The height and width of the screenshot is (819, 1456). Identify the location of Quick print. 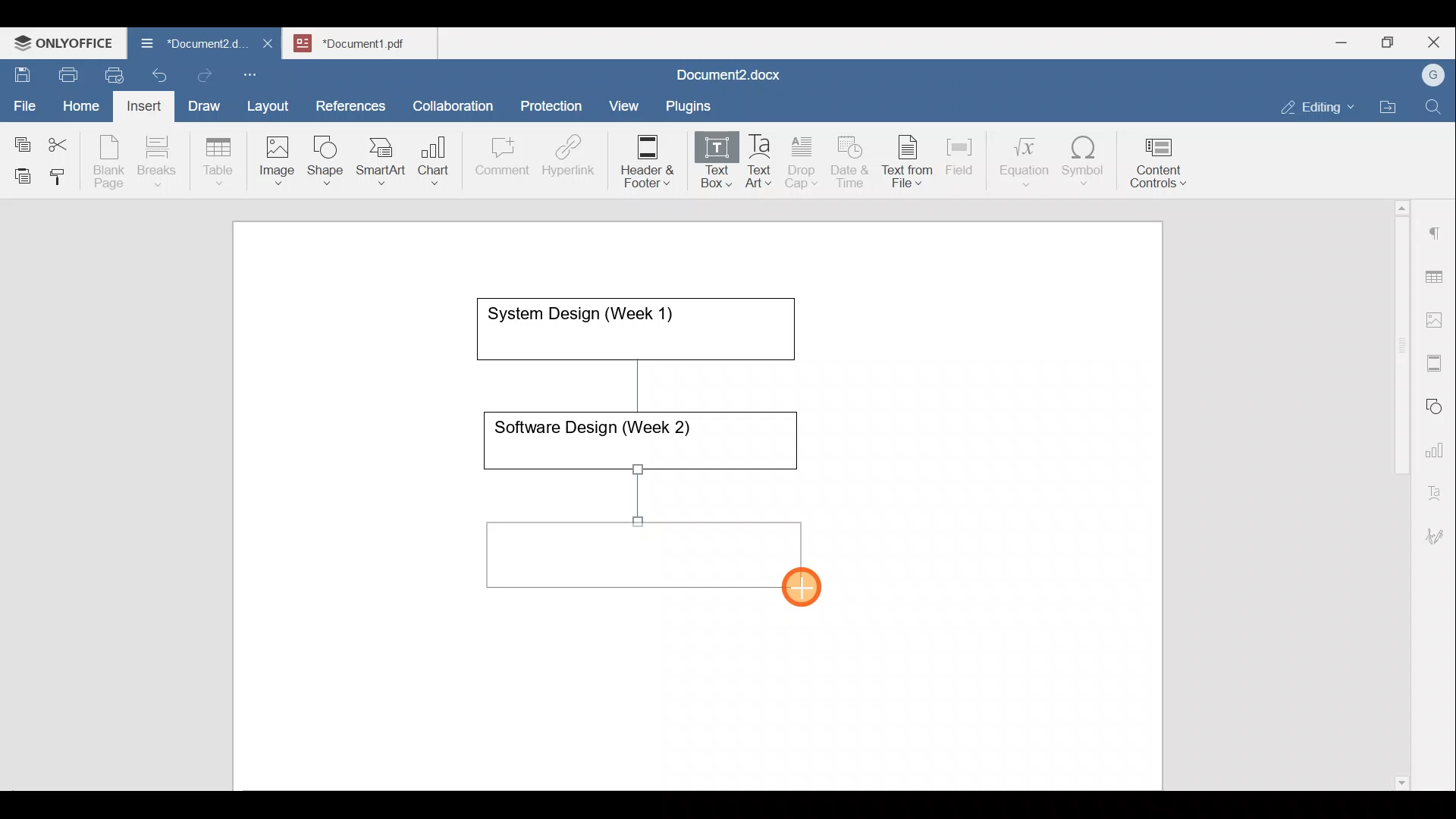
(110, 73).